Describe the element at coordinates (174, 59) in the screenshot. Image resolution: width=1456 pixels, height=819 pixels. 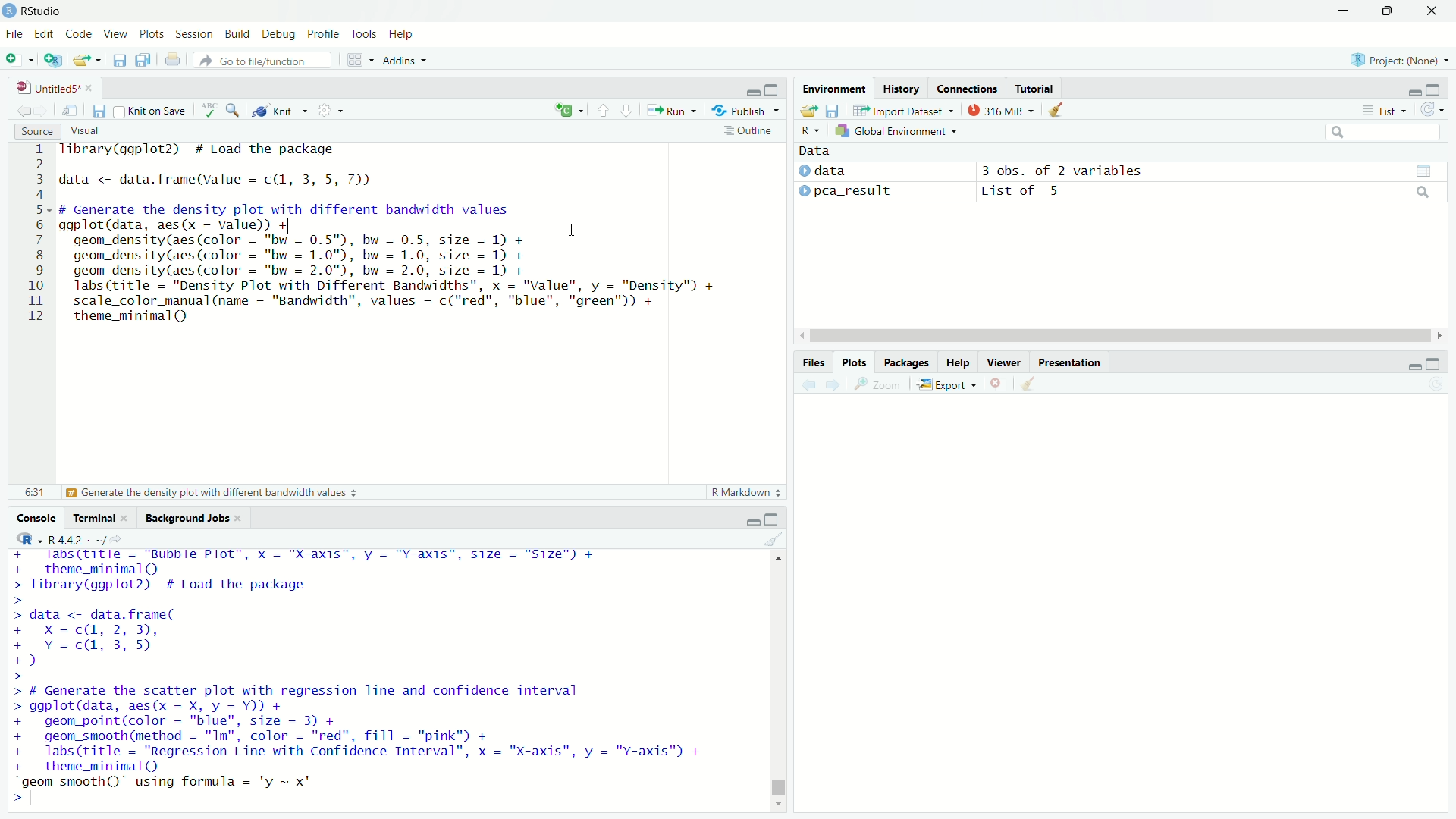
I see `Print the current file` at that location.